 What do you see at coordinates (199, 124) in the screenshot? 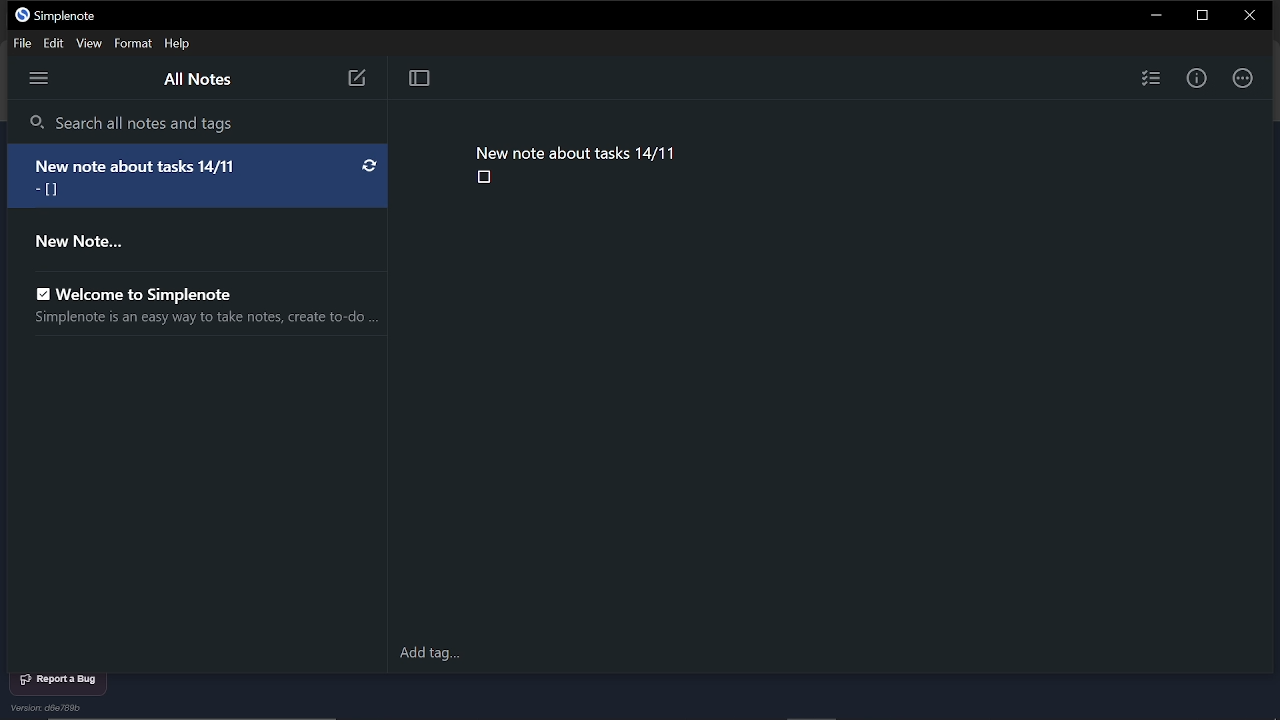
I see `Search all notes and tags` at bounding box center [199, 124].